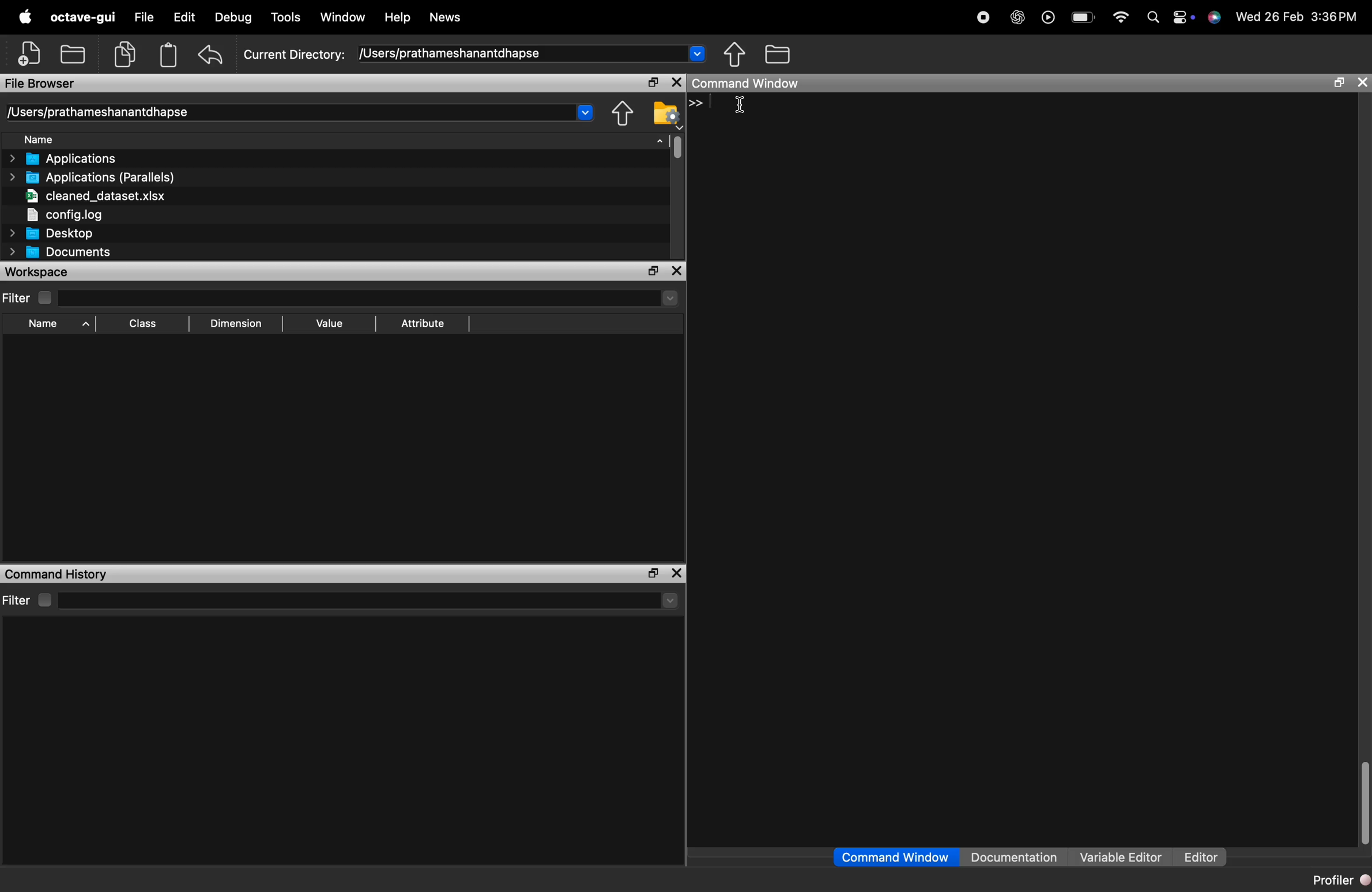 The width and height of the screenshot is (1372, 892). What do you see at coordinates (24, 17) in the screenshot?
I see `apple` at bounding box center [24, 17].